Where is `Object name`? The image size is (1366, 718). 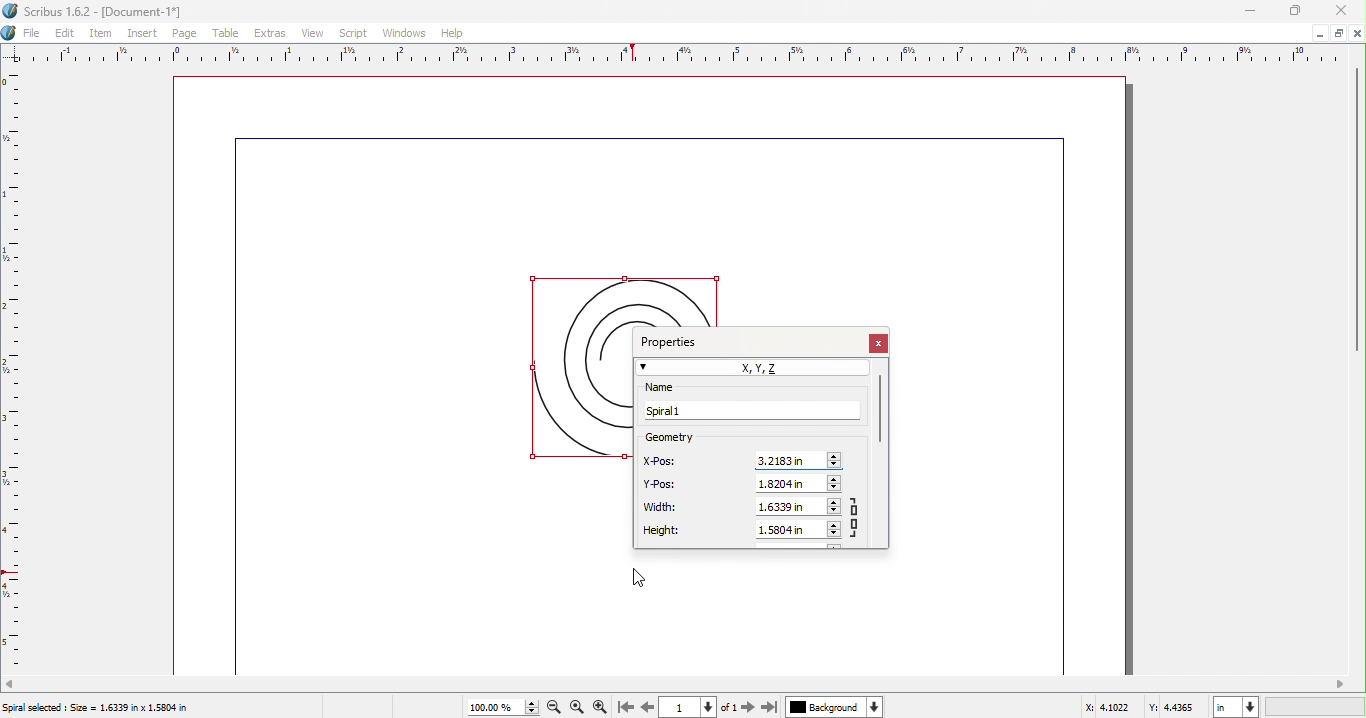 Object name is located at coordinates (749, 411).